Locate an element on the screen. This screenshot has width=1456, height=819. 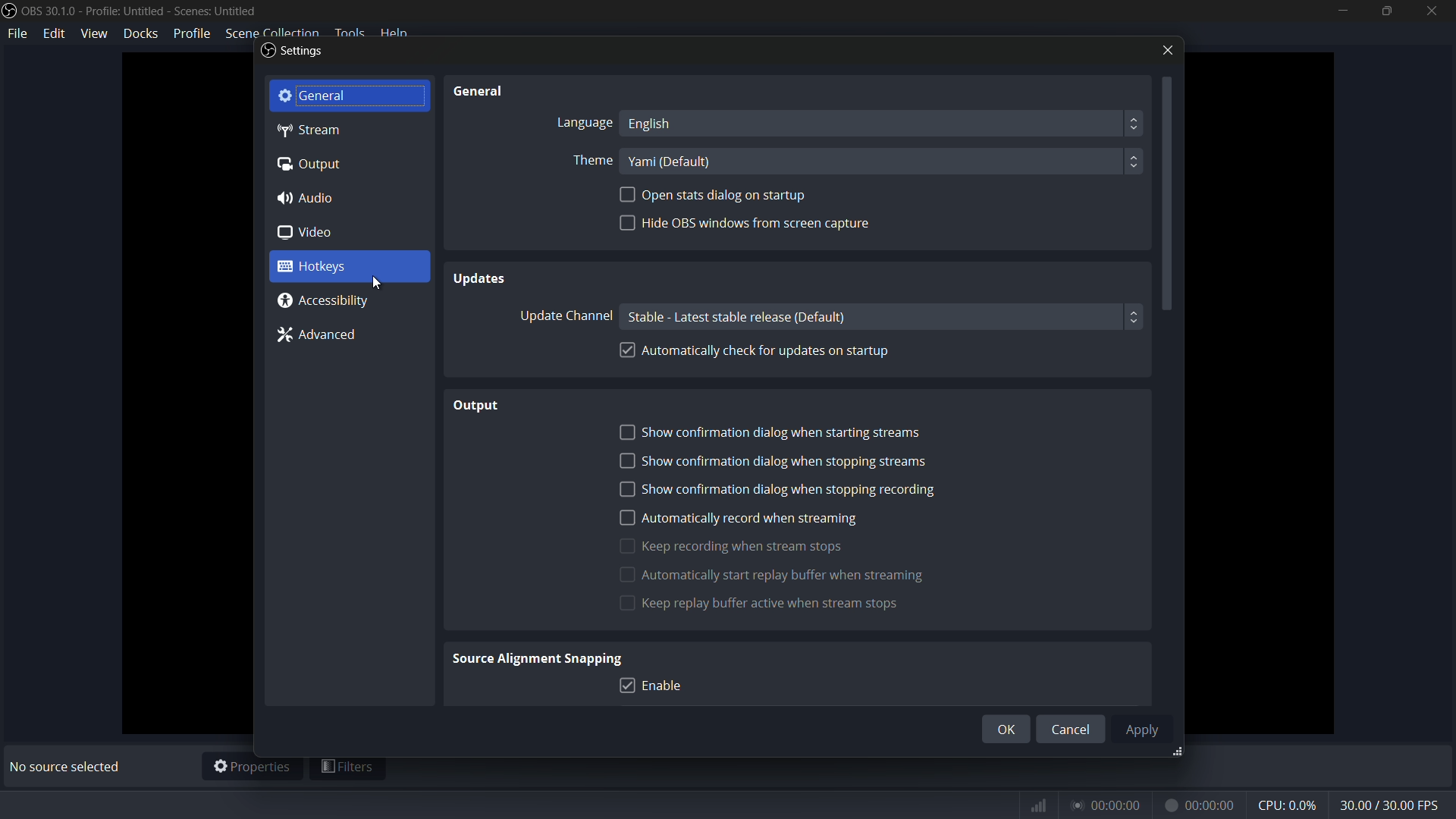
Updates is located at coordinates (483, 281).